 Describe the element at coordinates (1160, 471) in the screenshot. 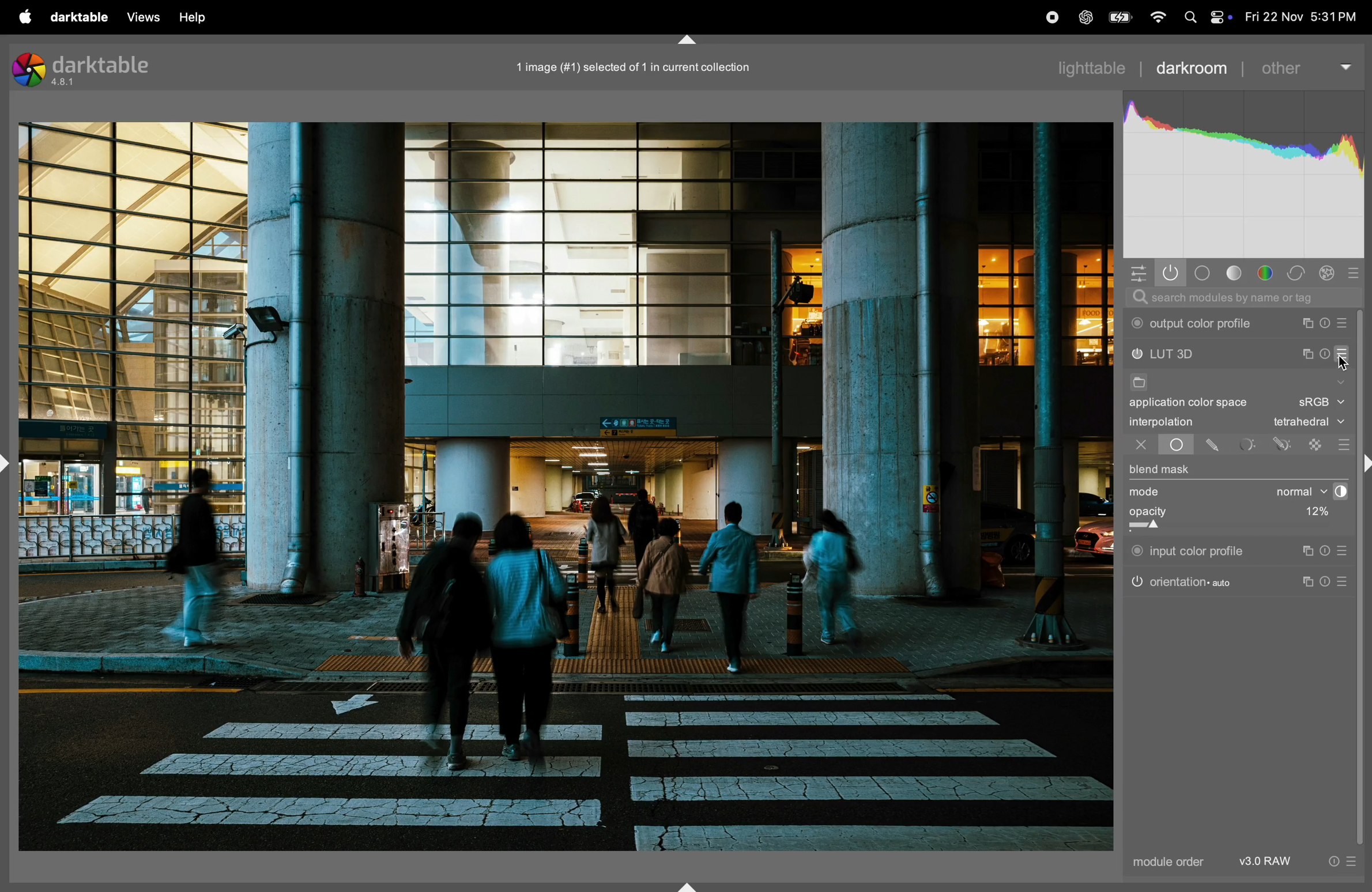

I see `blend mask` at that location.